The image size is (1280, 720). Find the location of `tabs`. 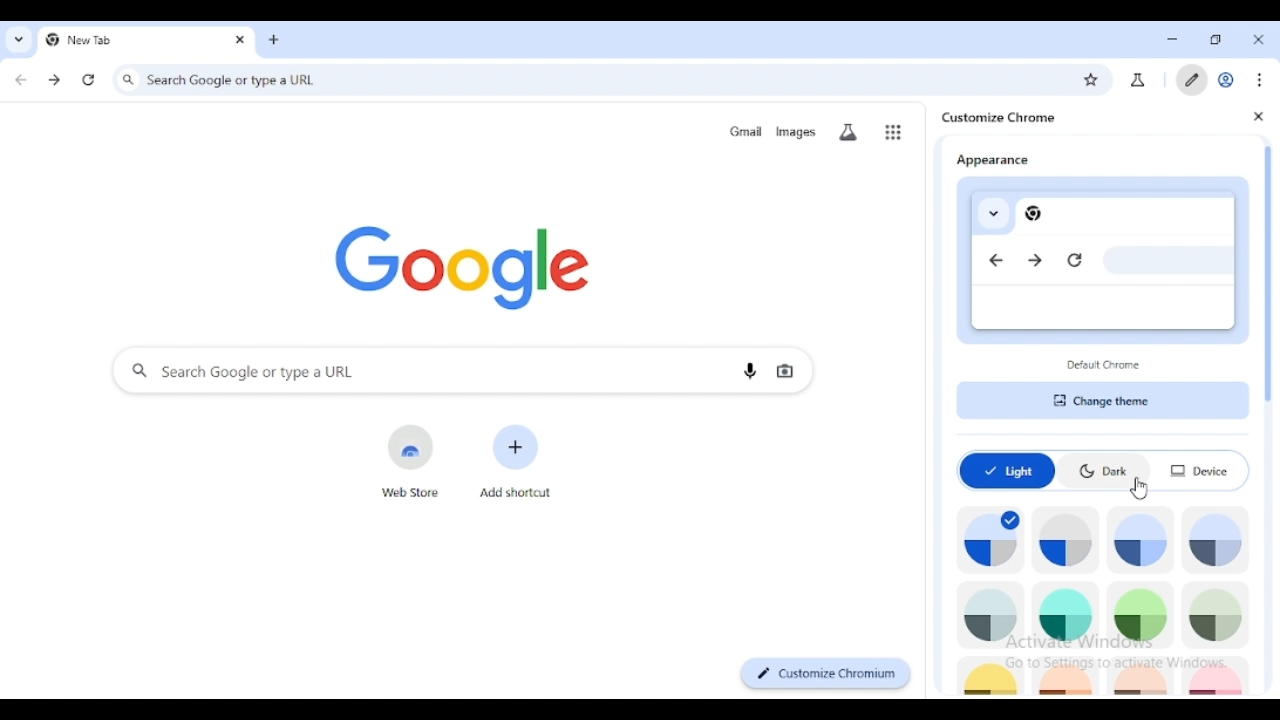

tabs is located at coordinates (987, 215).